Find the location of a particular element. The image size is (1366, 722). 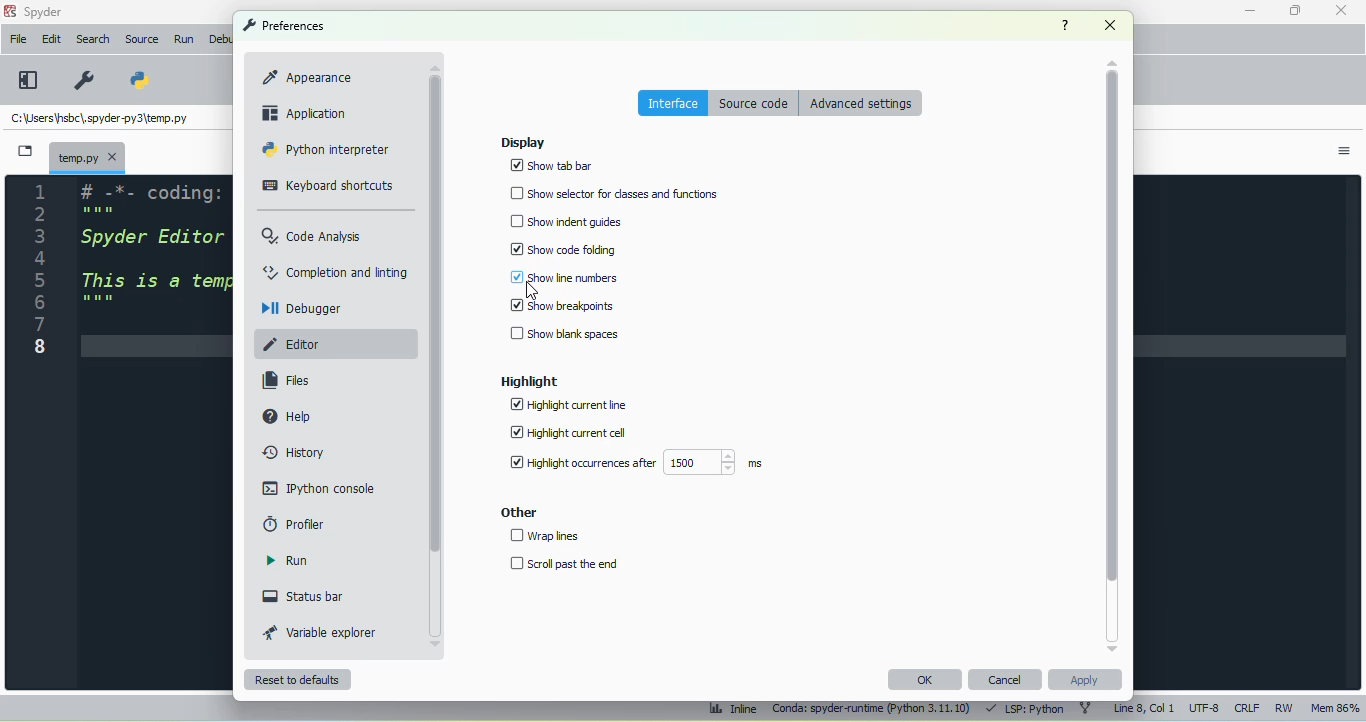

conda: spyder-runtime (python 3. 11. 10) is located at coordinates (871, 710).